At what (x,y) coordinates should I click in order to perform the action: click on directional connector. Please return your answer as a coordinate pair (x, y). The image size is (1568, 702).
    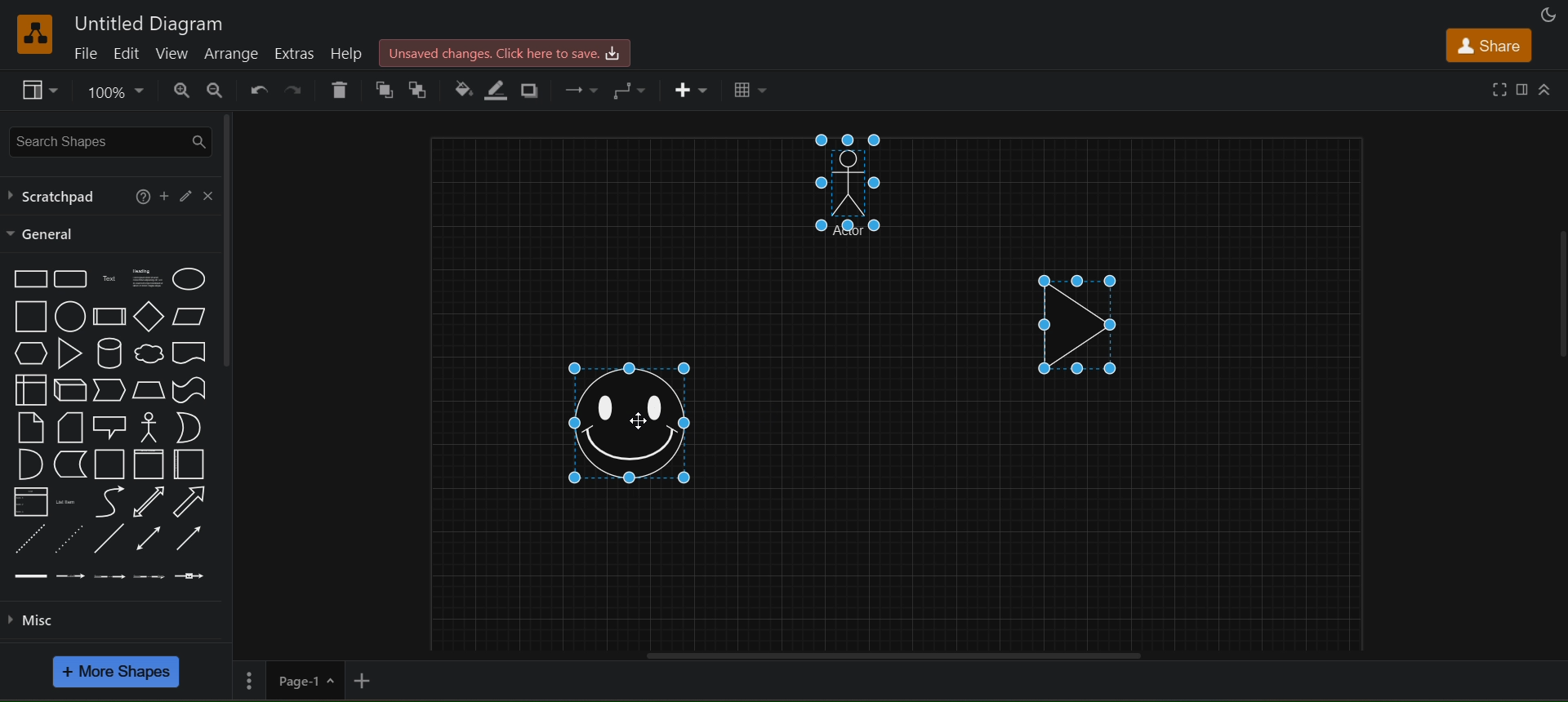
    Looking at the image, I should click on (193, 539).